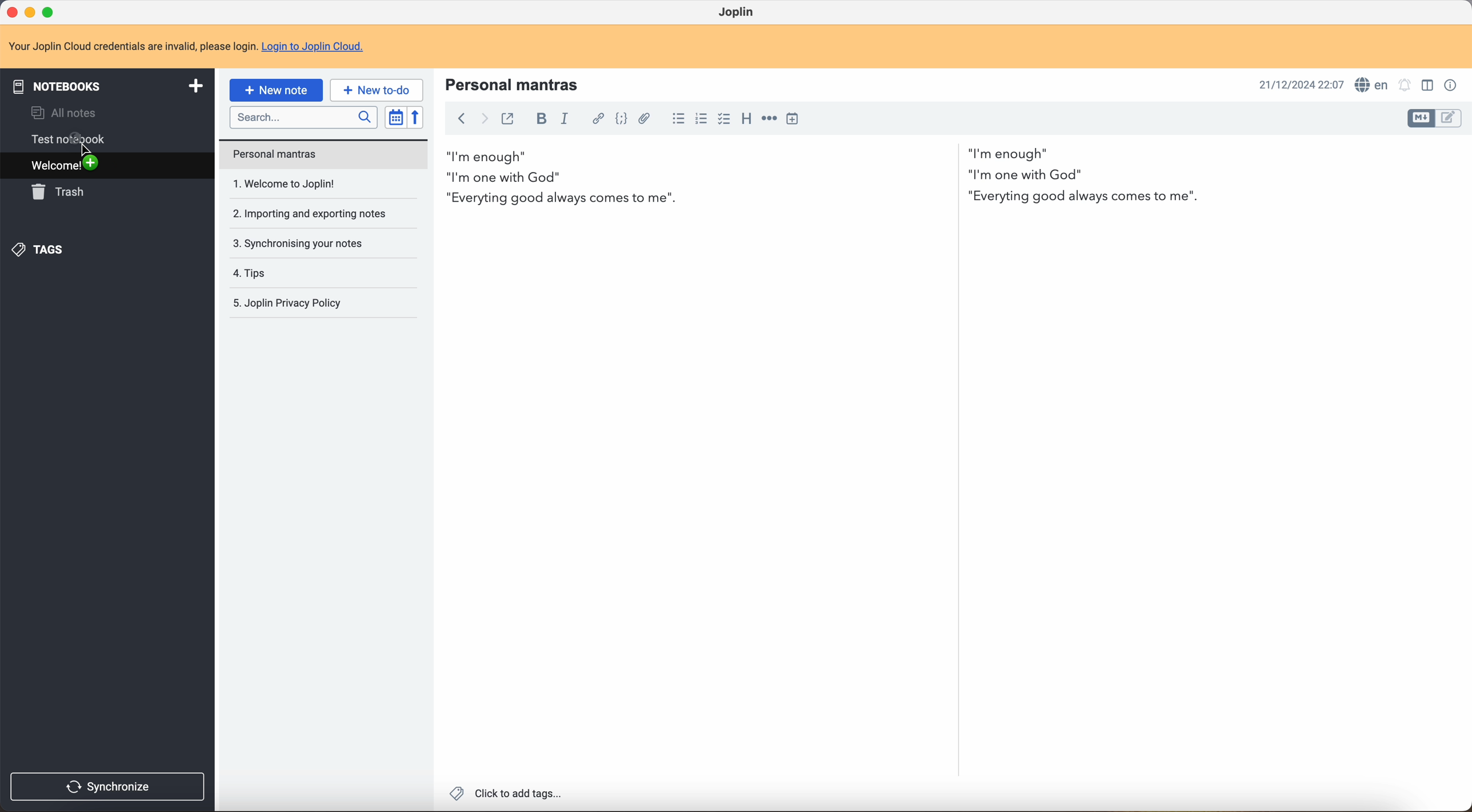  I want to click on test notebook, so click(74, 139).